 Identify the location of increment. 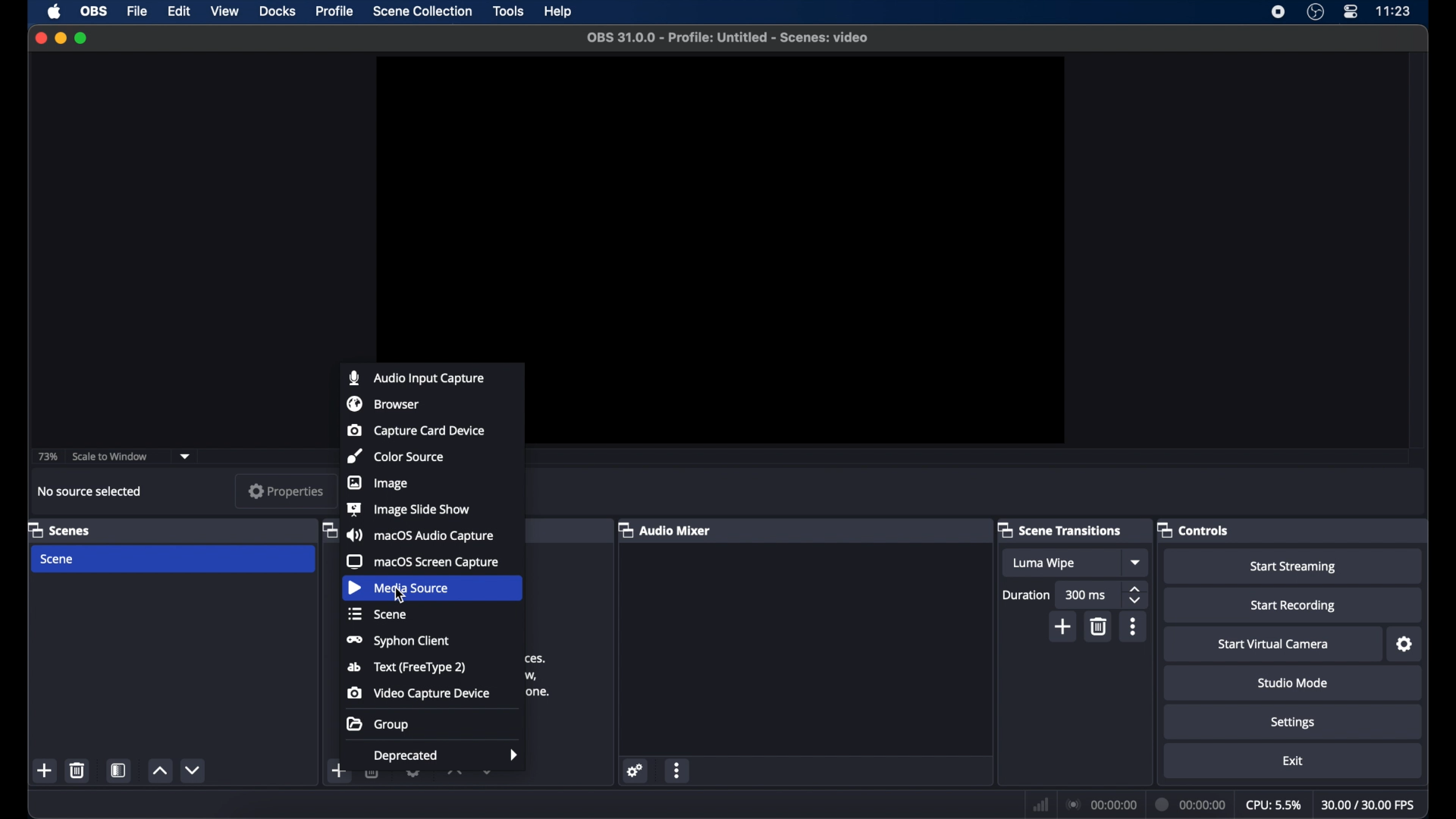
(159, 771).